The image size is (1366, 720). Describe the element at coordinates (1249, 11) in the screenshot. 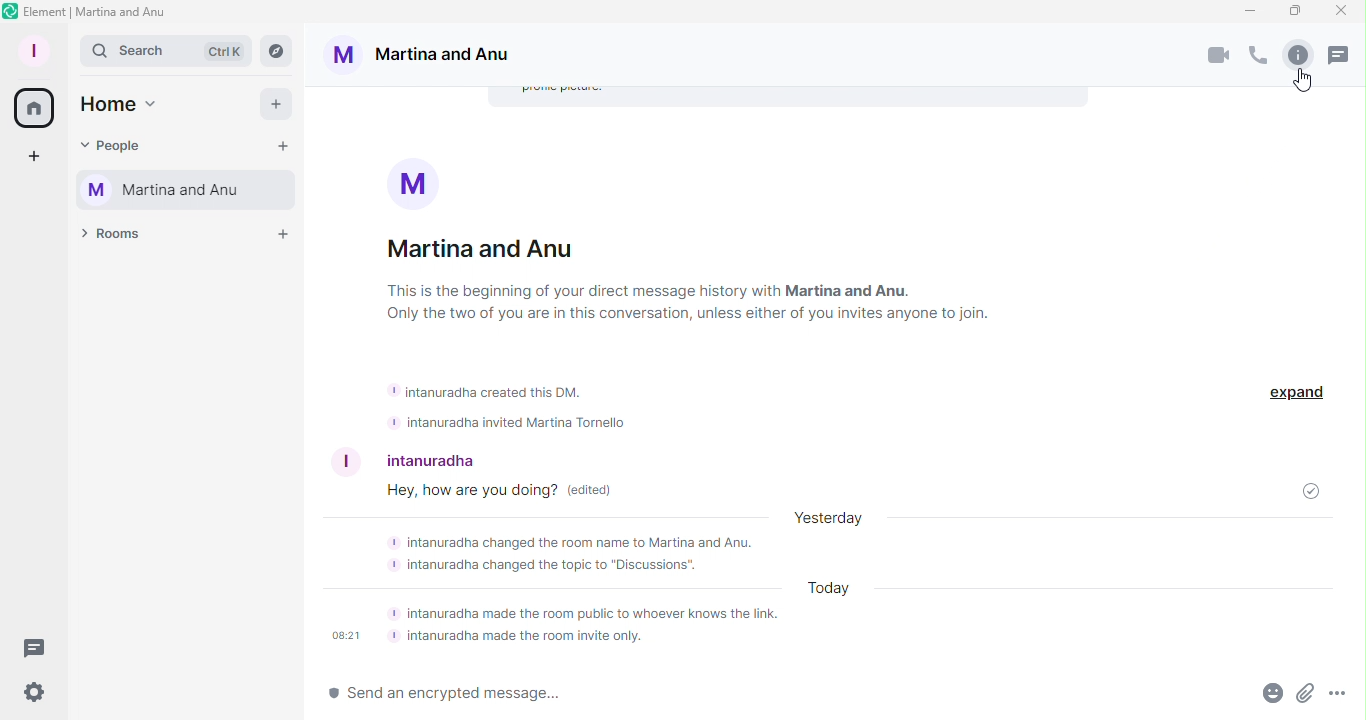

I see `Minimize` at that location.